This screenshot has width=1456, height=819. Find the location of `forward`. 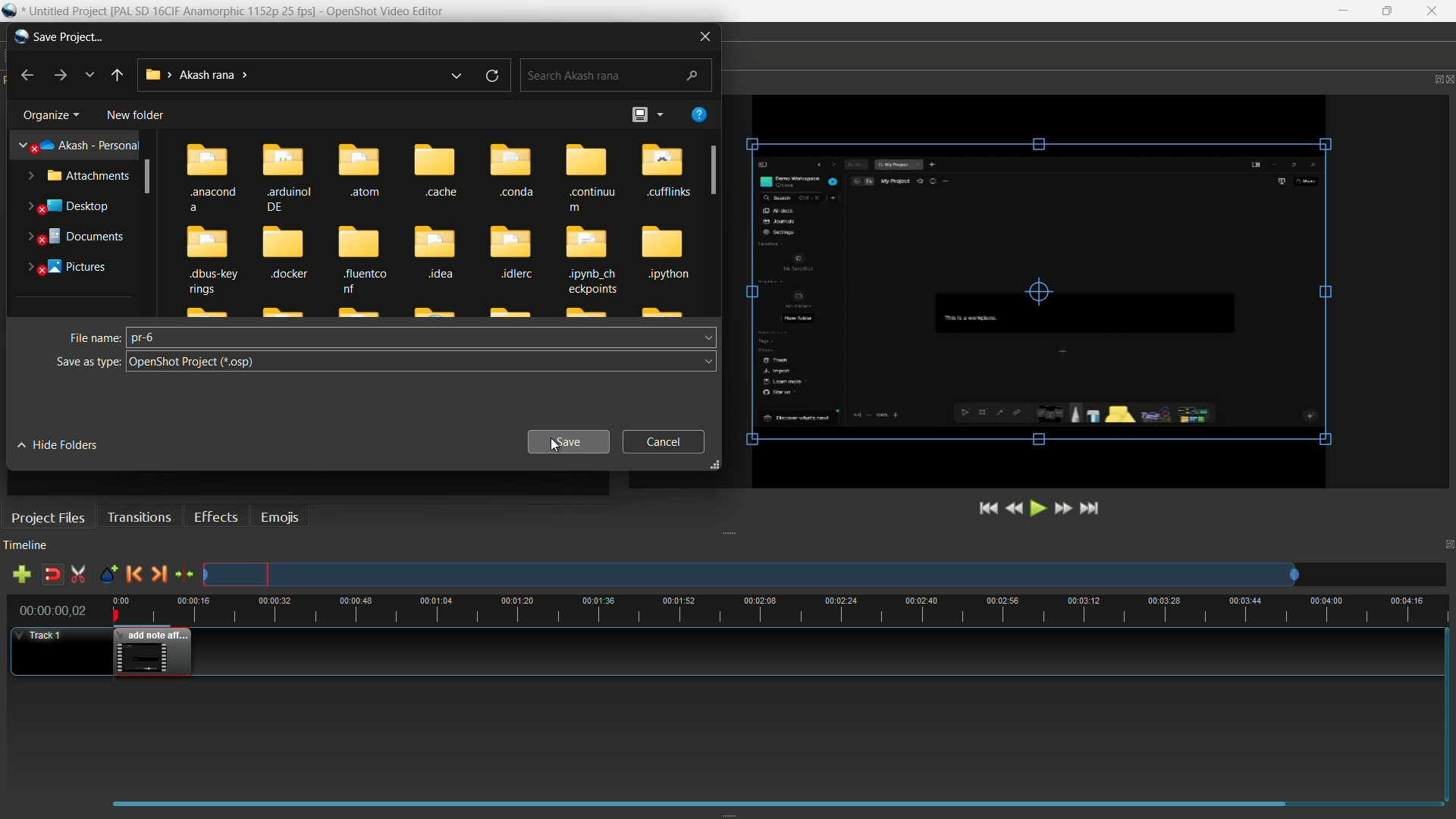

forward is located at coordinates (60, 74).